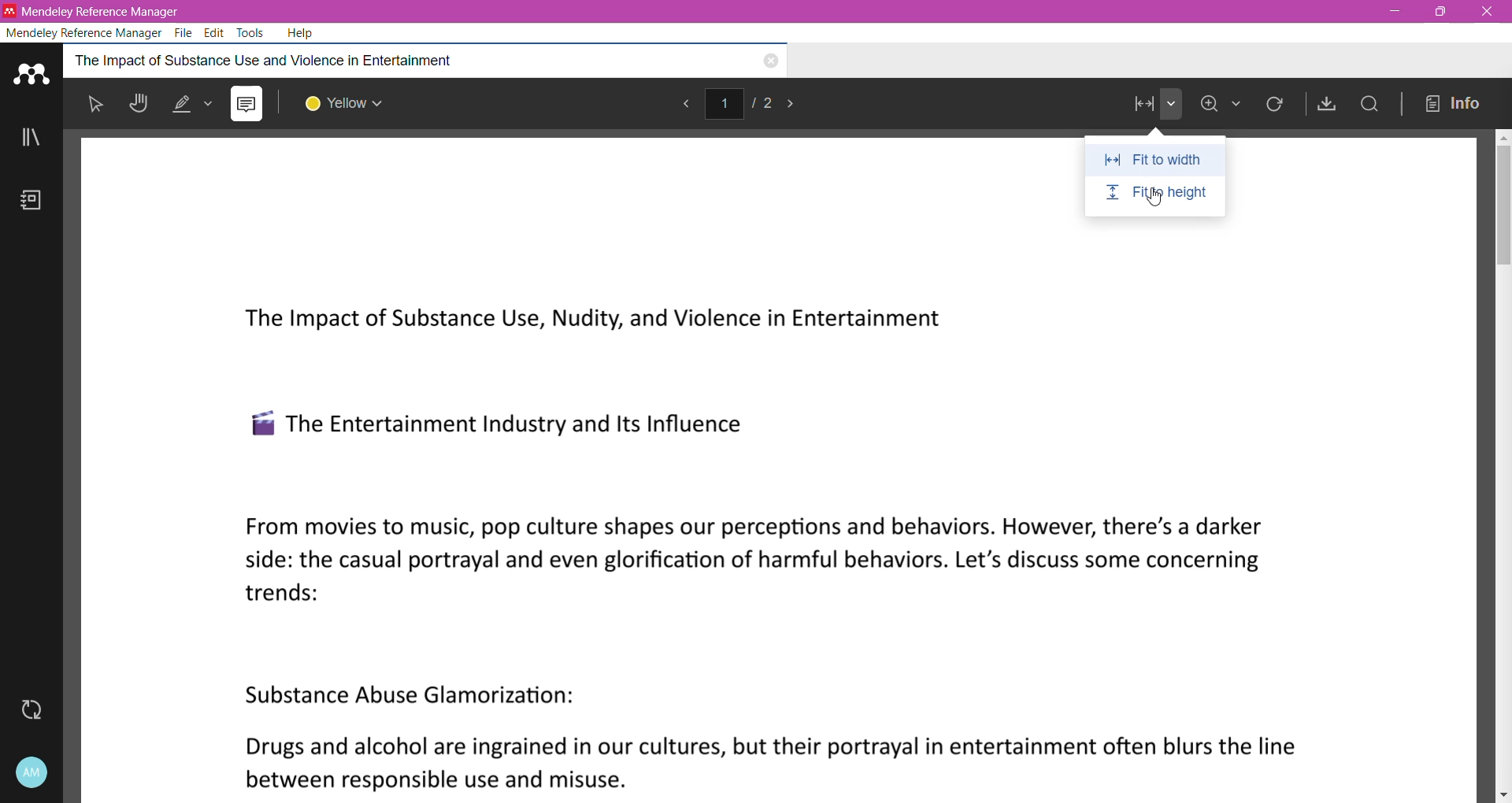 This screenshot has width=1512, height=803. Describe the element at coordinates (195, 105) in the screenshot. I see `Highlight options` at that location.